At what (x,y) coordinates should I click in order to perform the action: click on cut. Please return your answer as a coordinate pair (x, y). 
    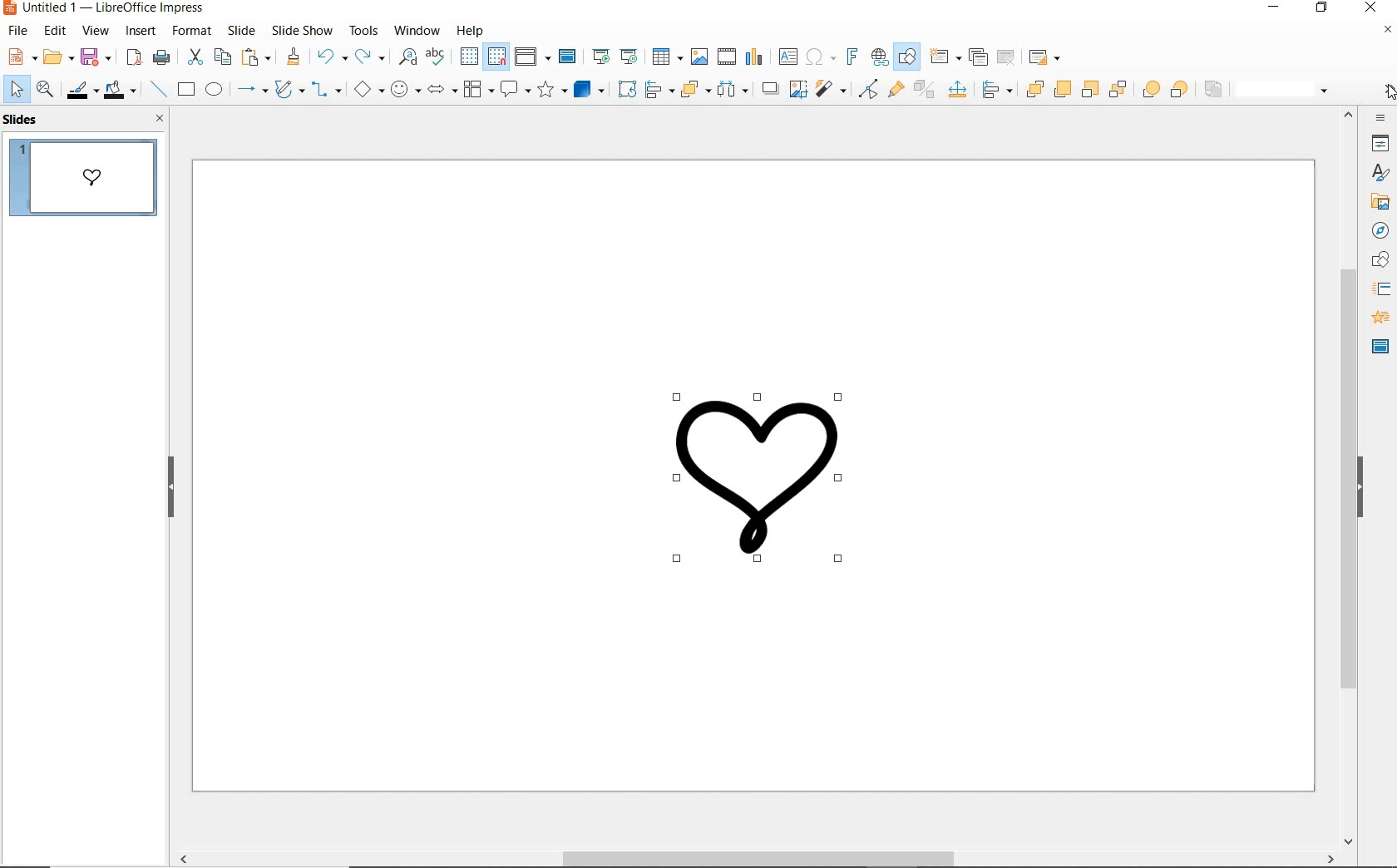
    Looking at the image, I should click on (194, 56).